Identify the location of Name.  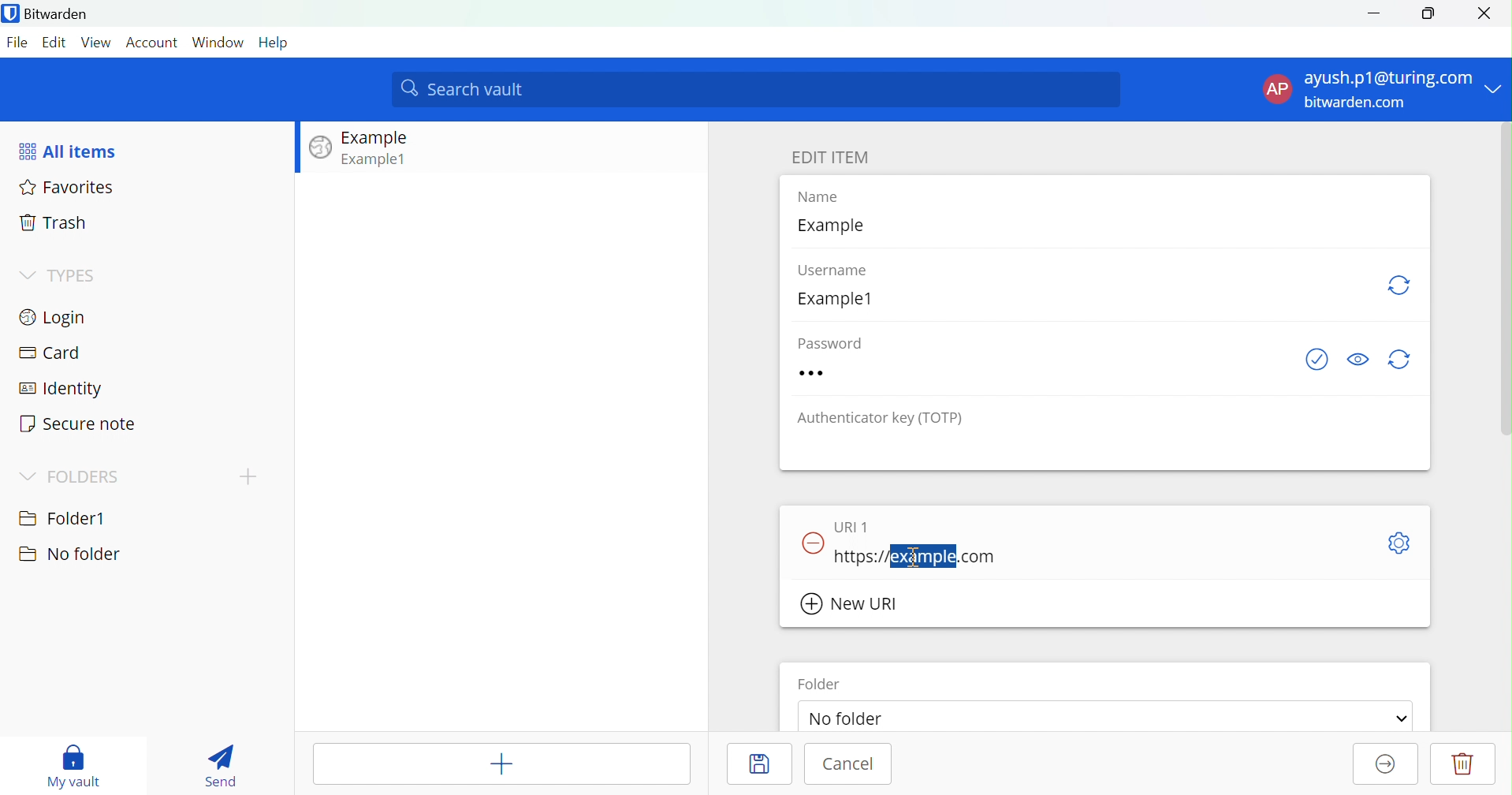
(829, 198).